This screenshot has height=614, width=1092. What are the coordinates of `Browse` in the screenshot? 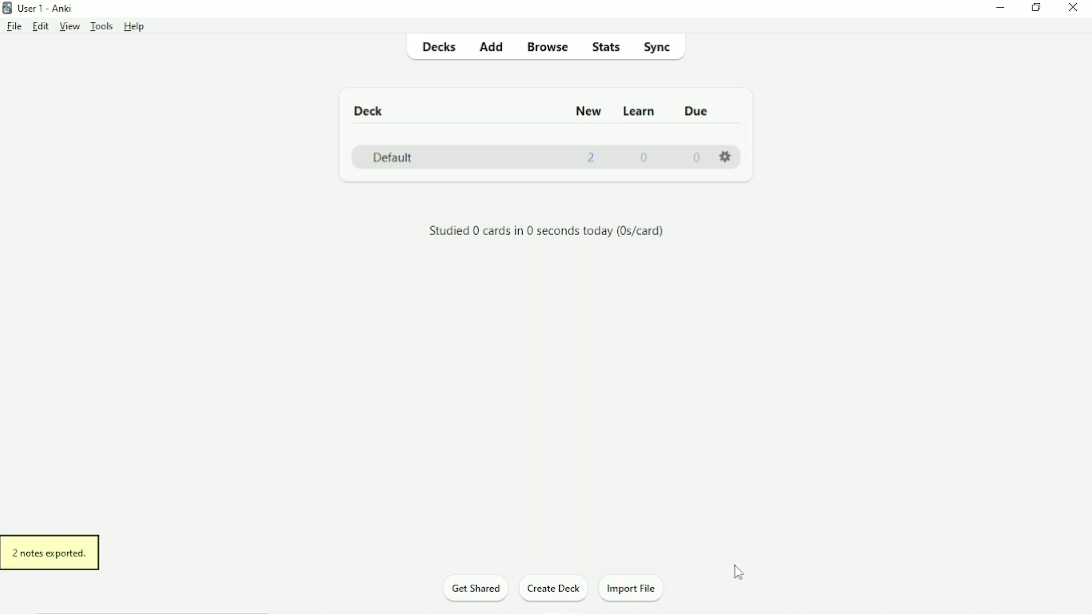 It's located at (544, 46).